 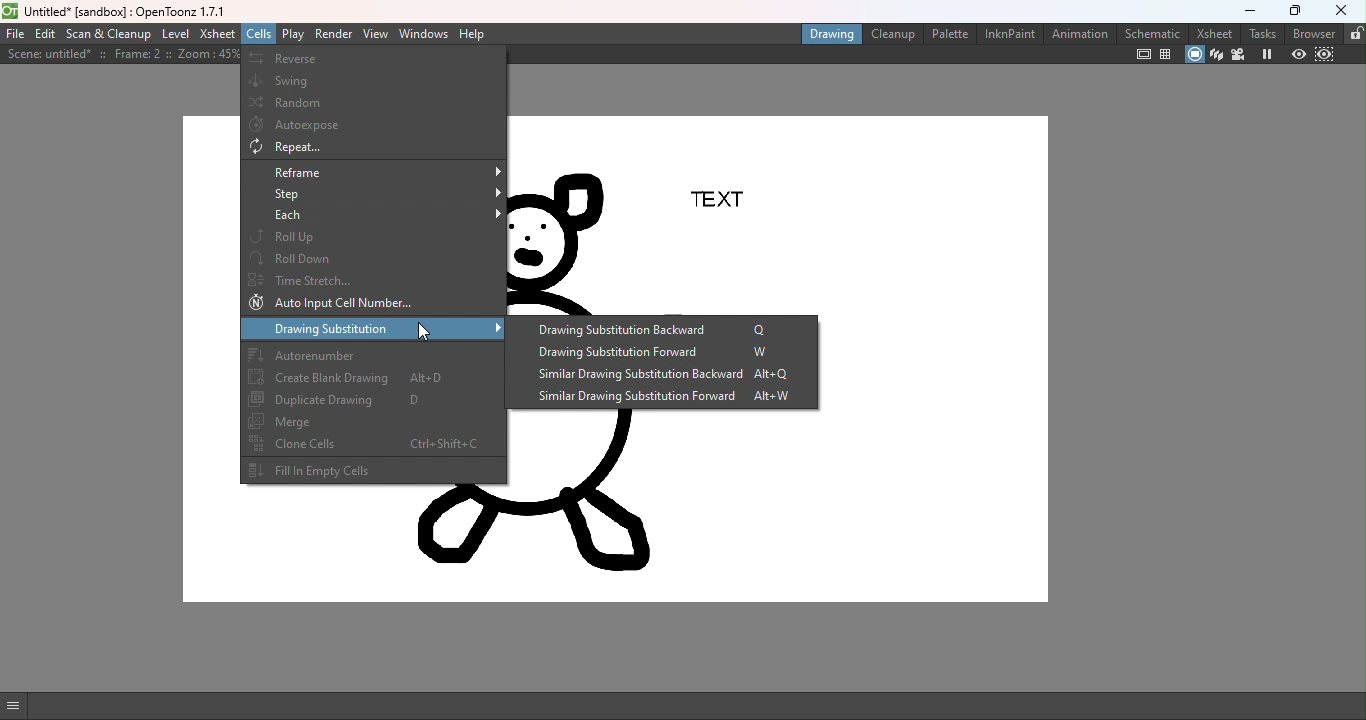 I want to click on Duplicate drawing, so click(x=374, y=401).